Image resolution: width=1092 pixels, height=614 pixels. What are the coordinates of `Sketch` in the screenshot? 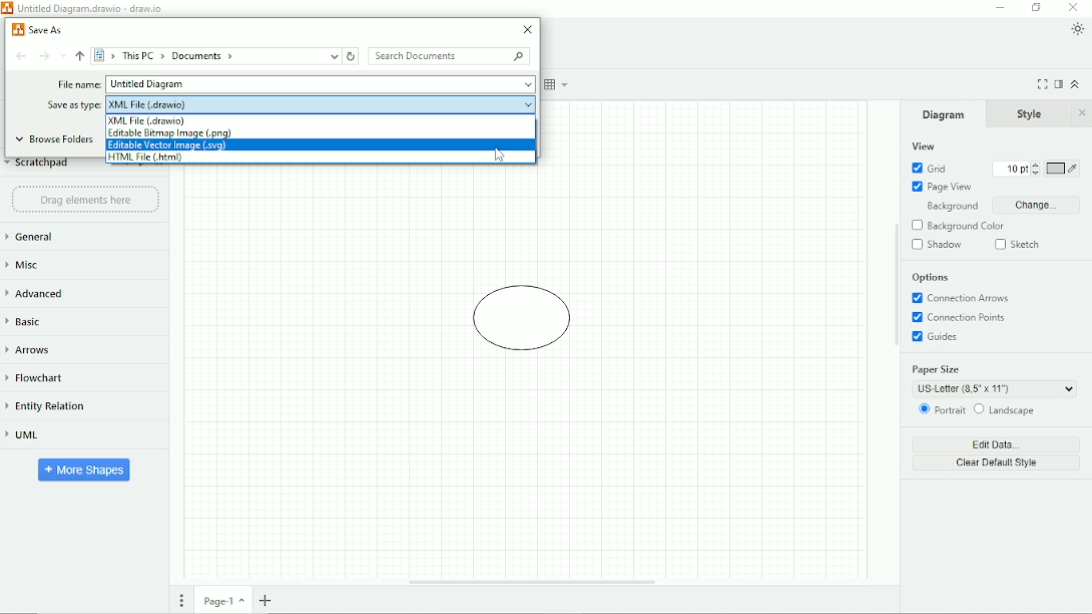 It's located at (1021, 245).